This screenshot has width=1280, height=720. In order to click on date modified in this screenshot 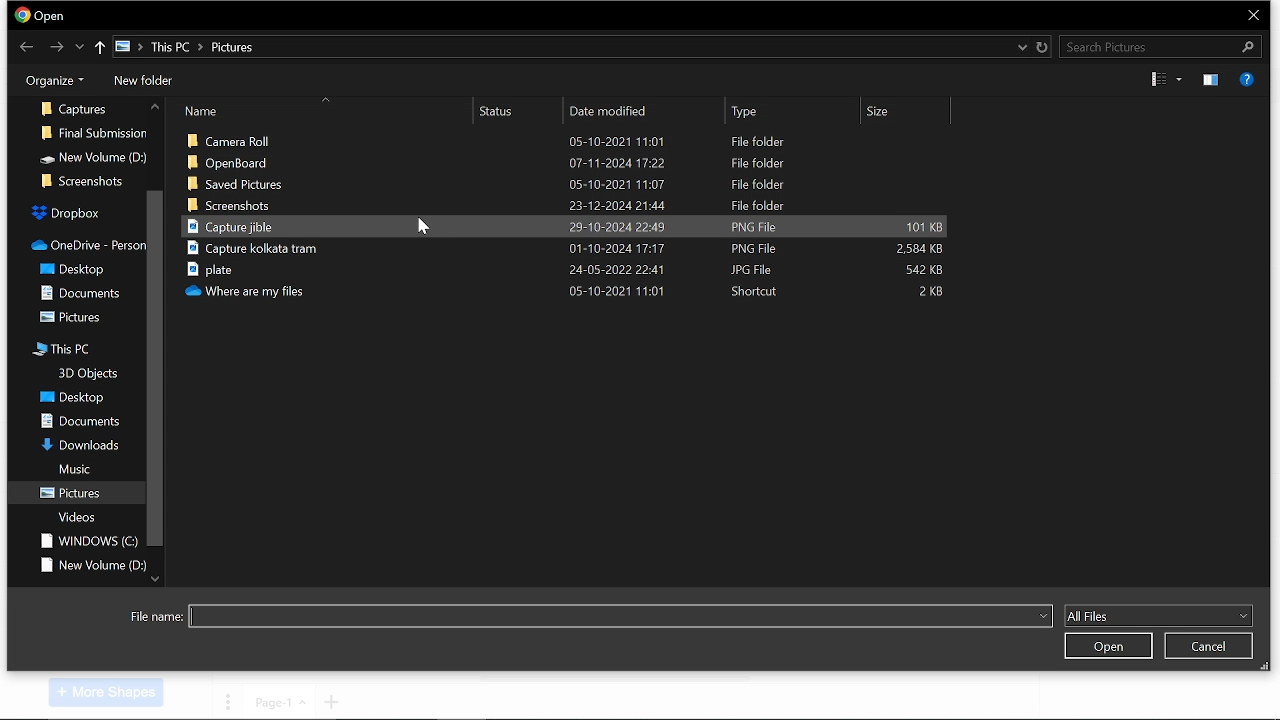, I will do `click(647, 112)`.